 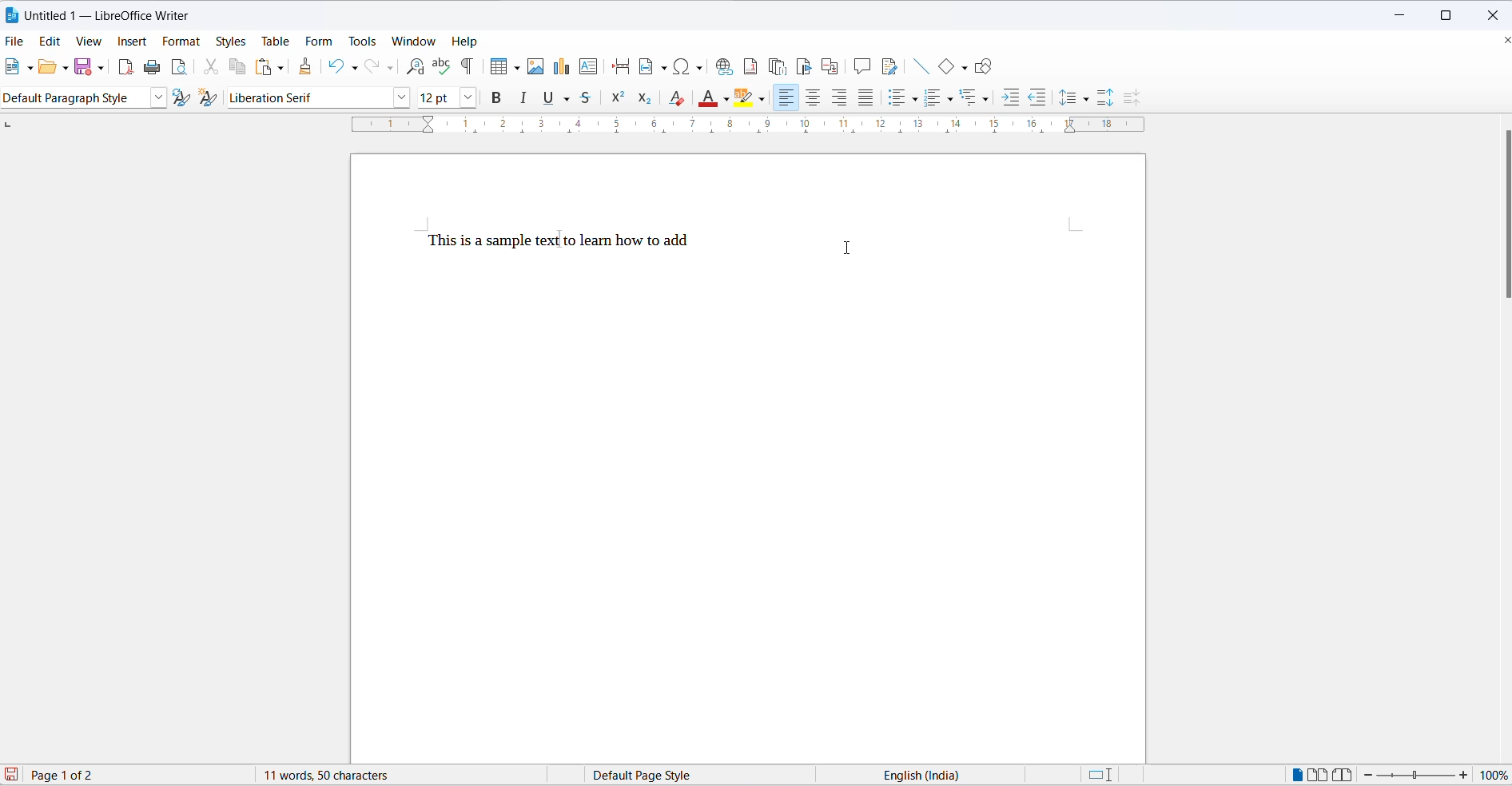 I want to click on copy, so click(x=241, y=67).